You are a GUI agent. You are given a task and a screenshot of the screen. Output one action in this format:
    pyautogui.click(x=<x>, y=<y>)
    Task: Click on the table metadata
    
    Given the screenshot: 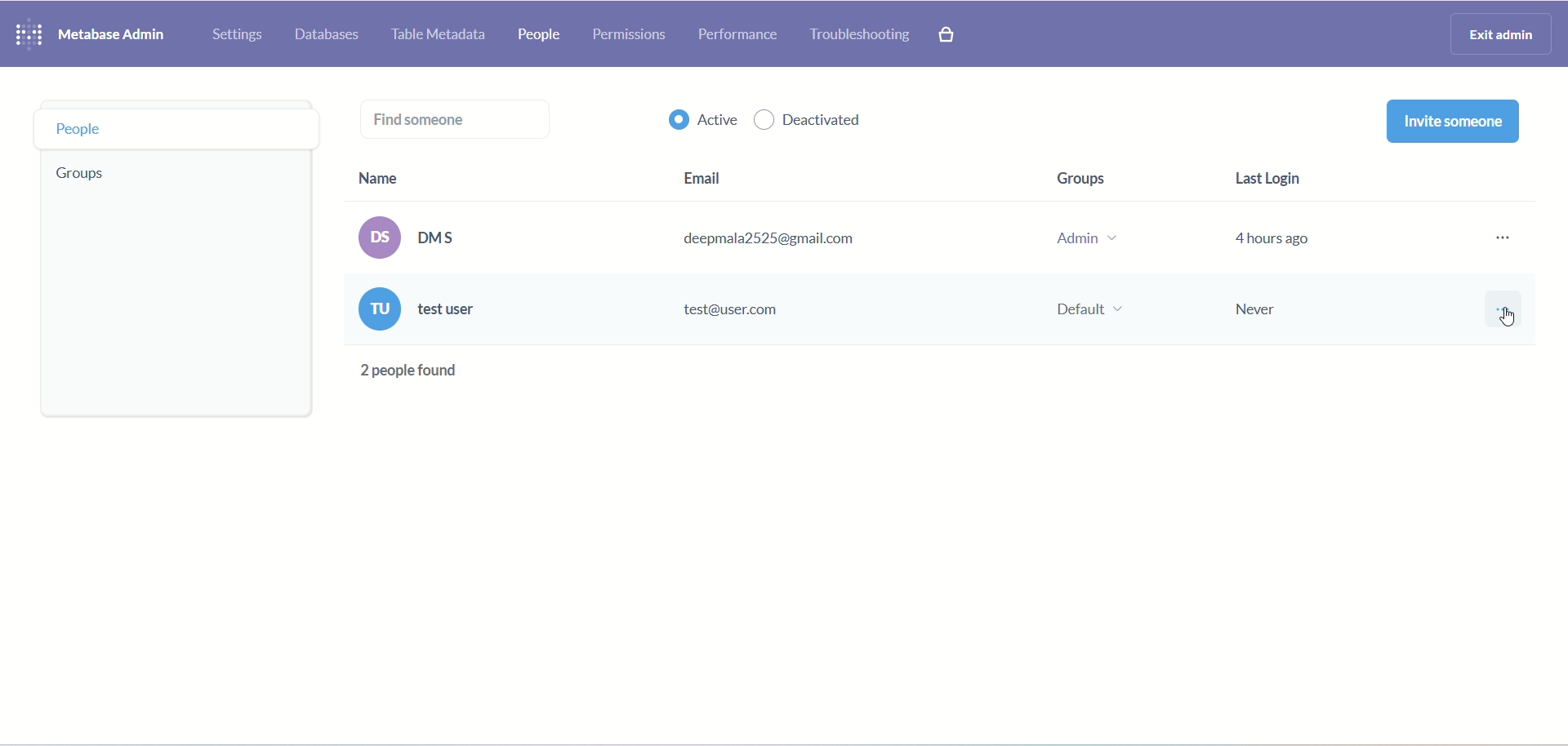 What is the action you would take?
    pyautogui.click(x=442, y=35)
    